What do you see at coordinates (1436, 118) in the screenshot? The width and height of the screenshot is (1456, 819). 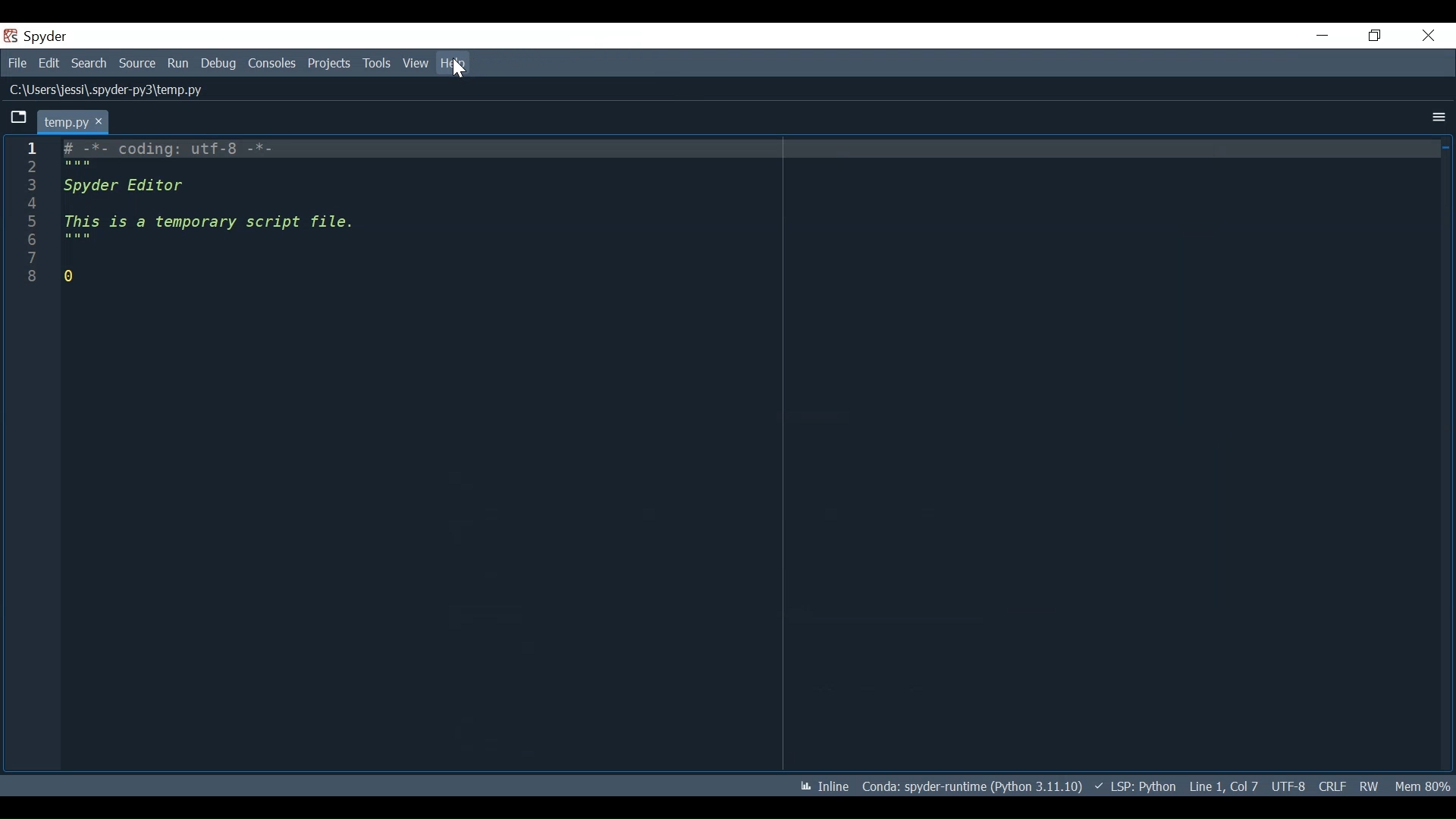 I see `More Options` at bounding box center [1436, 118].